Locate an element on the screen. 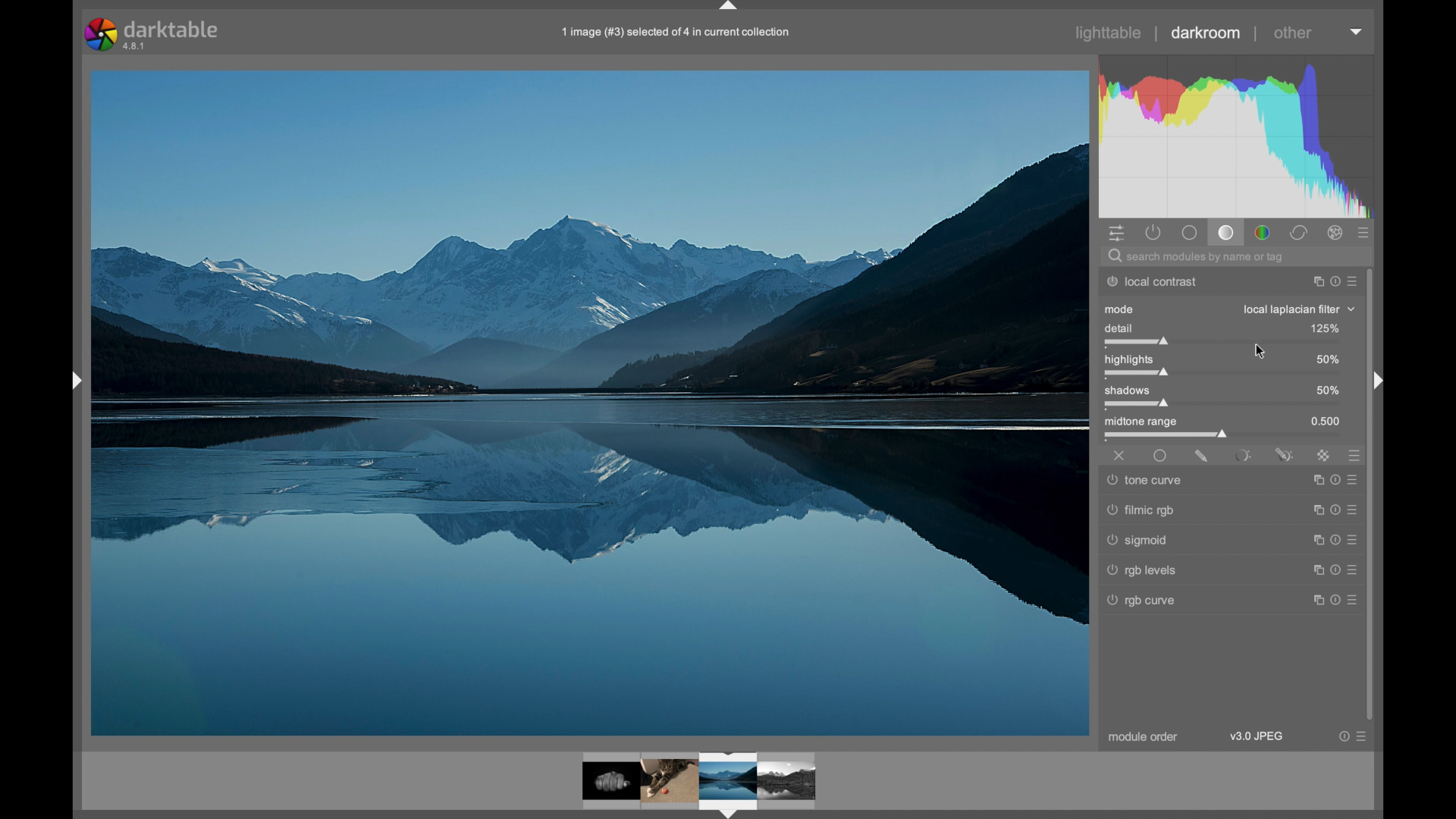  base is located at coordinates (1189, 233).